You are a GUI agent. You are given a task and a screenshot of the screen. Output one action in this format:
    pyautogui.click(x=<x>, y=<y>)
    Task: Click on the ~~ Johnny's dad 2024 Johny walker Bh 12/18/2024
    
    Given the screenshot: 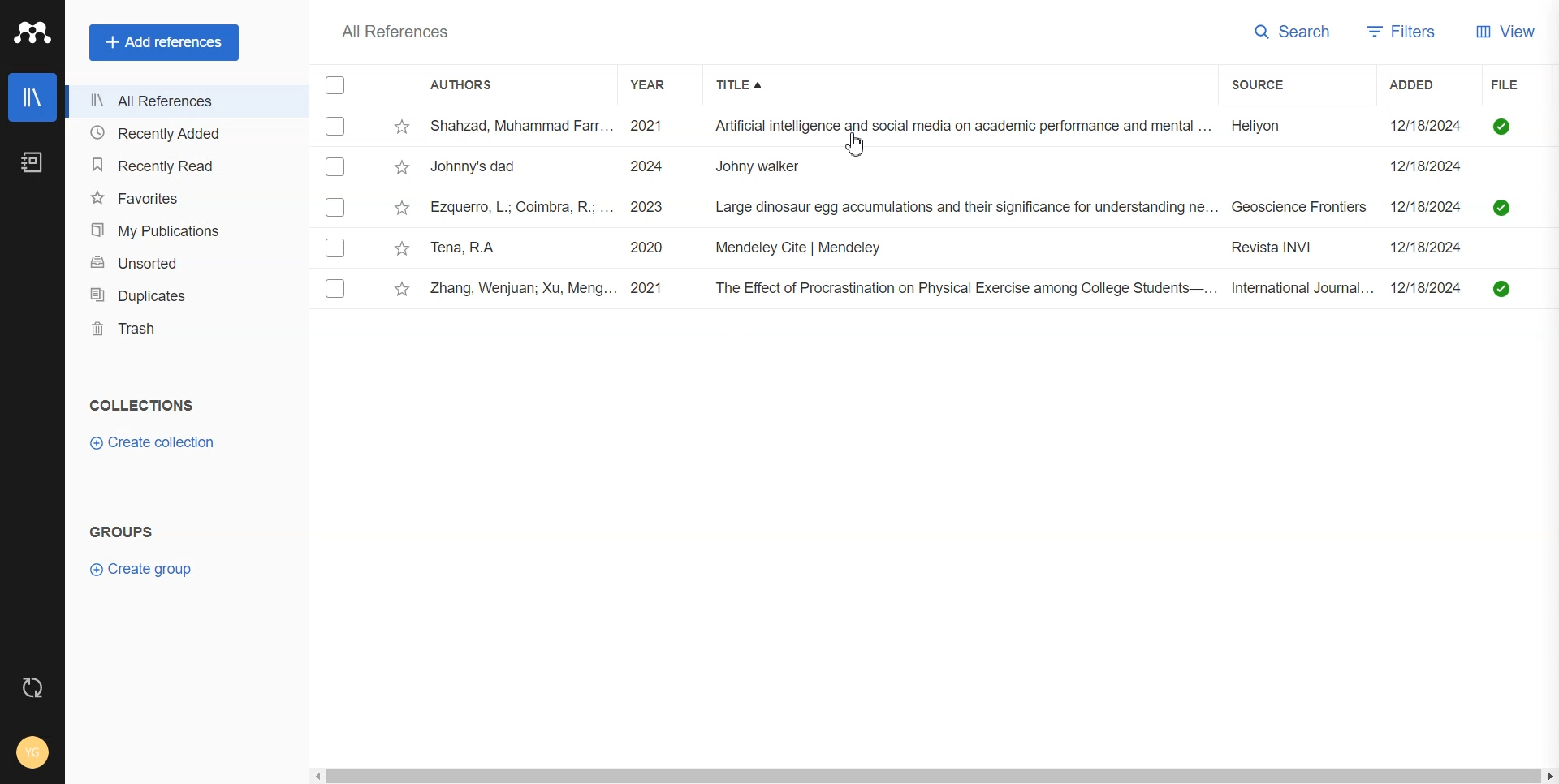 What is the action you would take?
    pyautogui.click(x=948, y=166)
    